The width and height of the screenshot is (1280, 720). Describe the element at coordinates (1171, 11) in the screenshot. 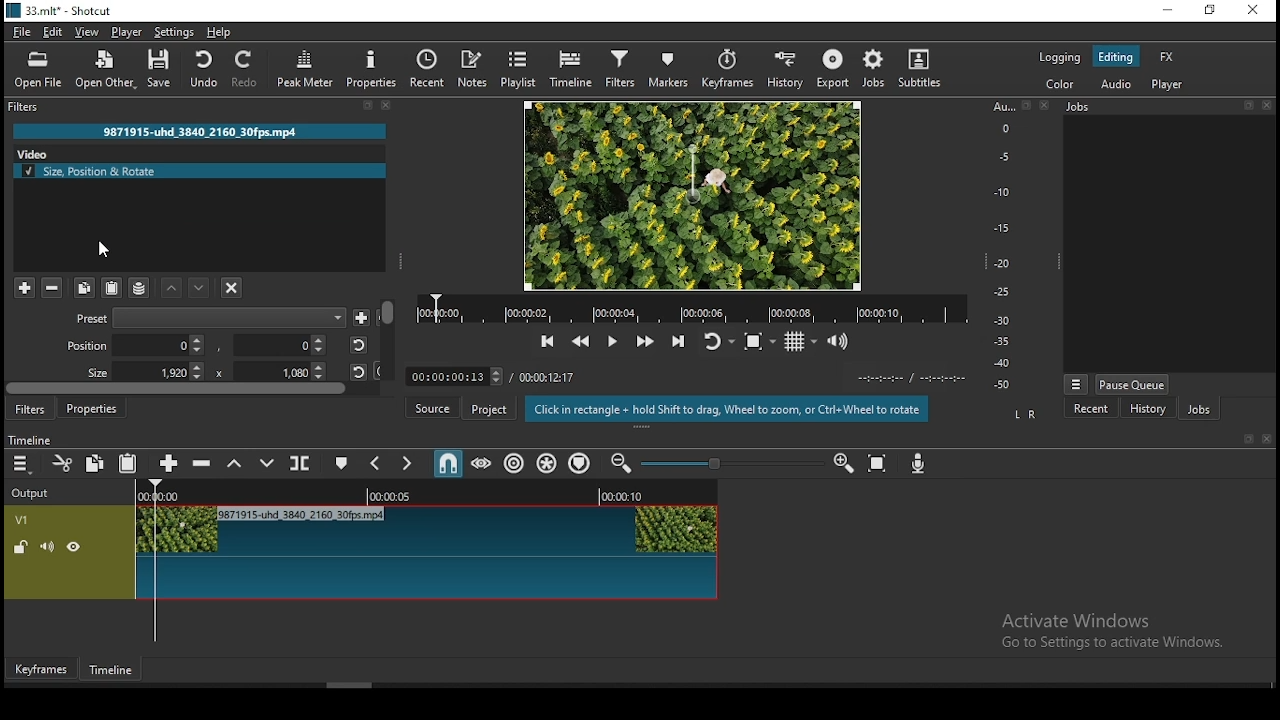

I see `minimize` at that location.